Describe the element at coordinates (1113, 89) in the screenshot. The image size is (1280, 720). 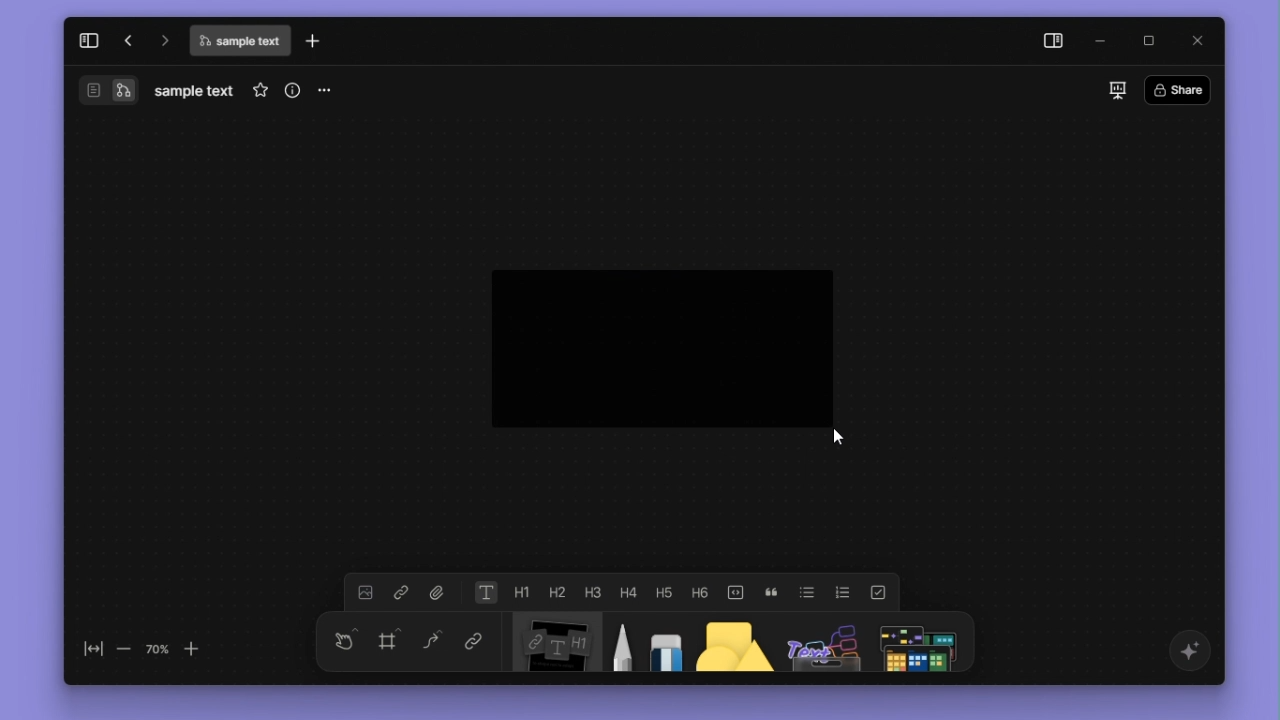
I see `slideshow` at that location.